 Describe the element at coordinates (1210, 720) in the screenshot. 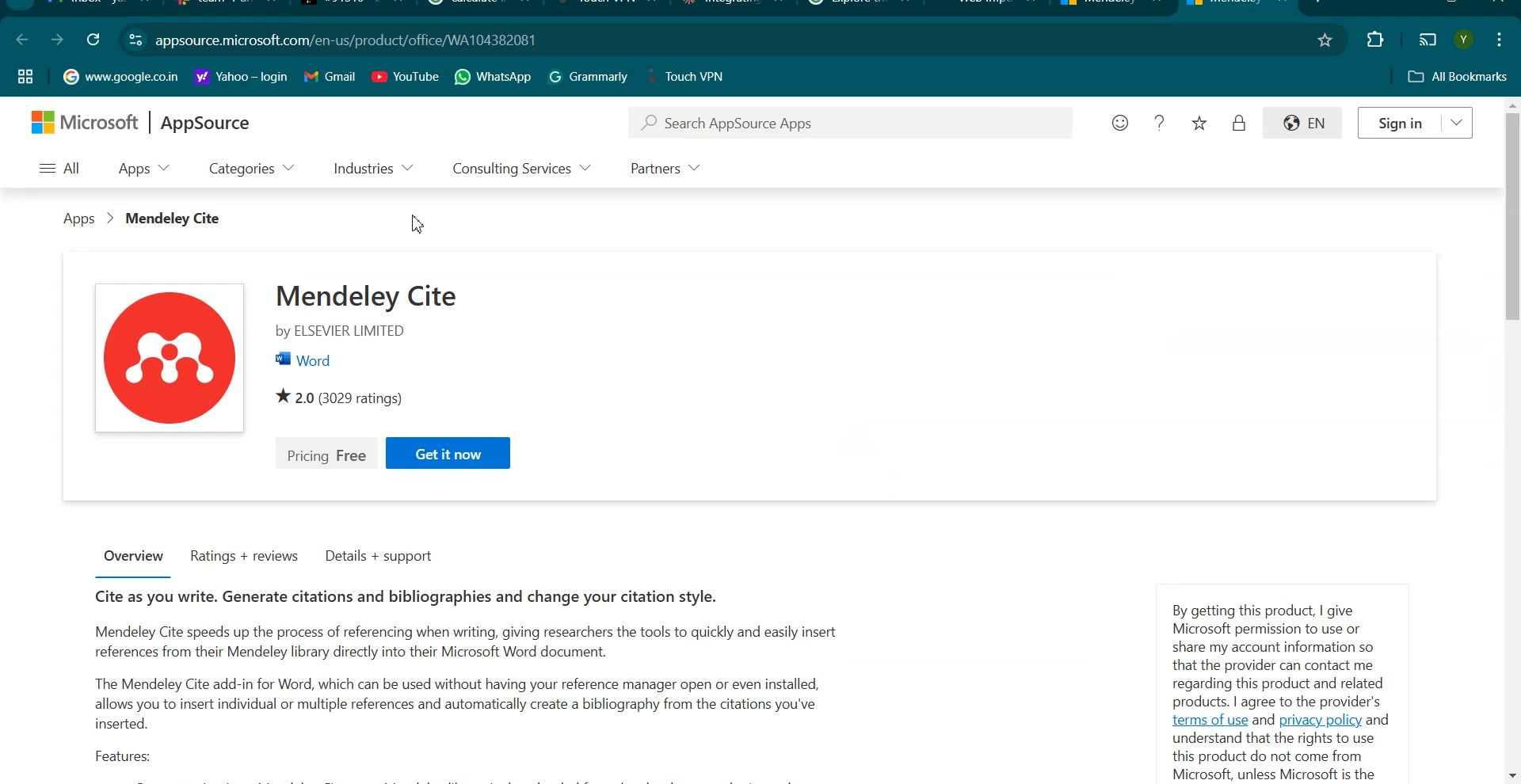

I see `terms of use` at that location.